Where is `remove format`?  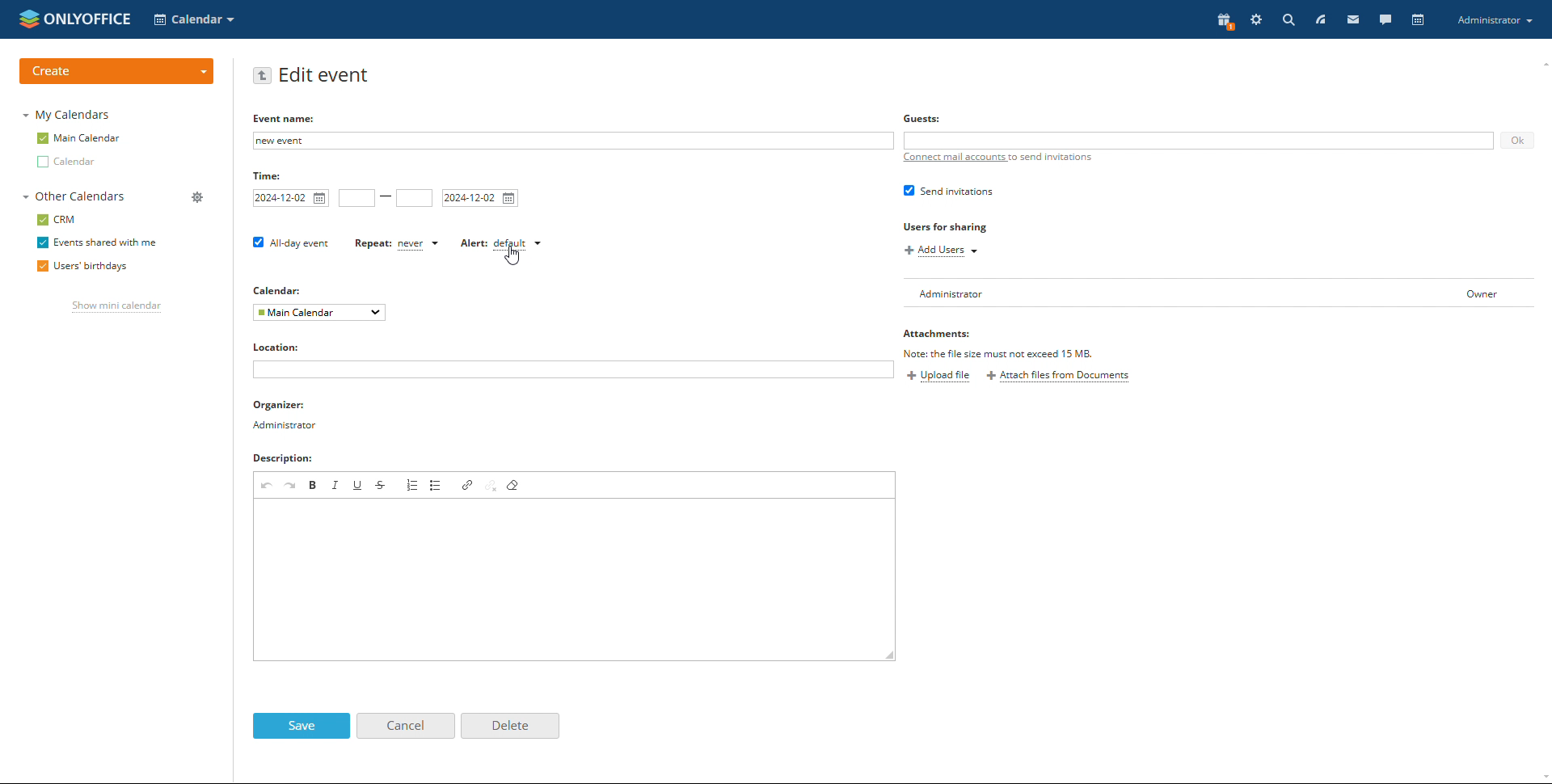
remove format is located at coordinates (513, 485).